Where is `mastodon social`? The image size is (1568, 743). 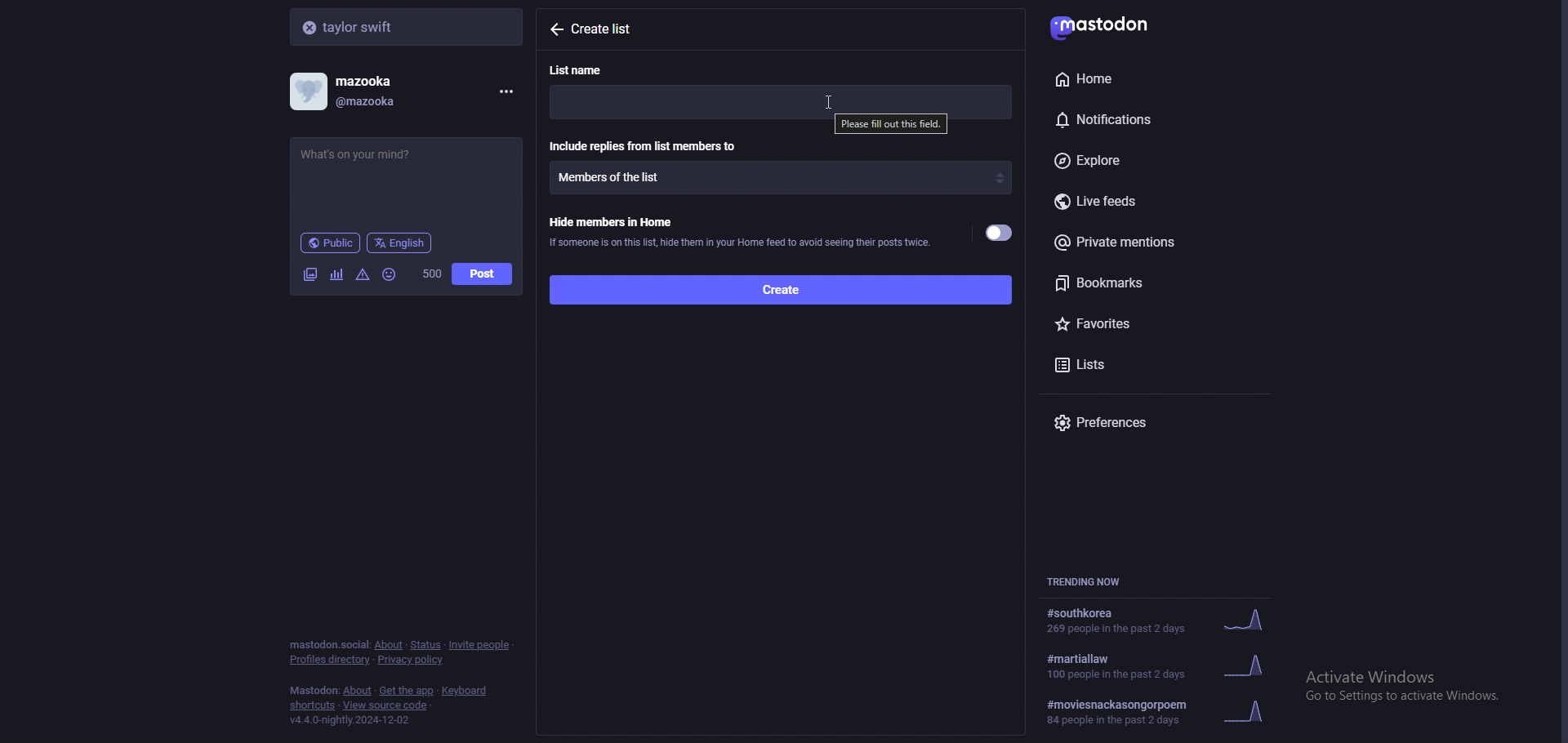 mastodon social is located at coordinates (328, 645).